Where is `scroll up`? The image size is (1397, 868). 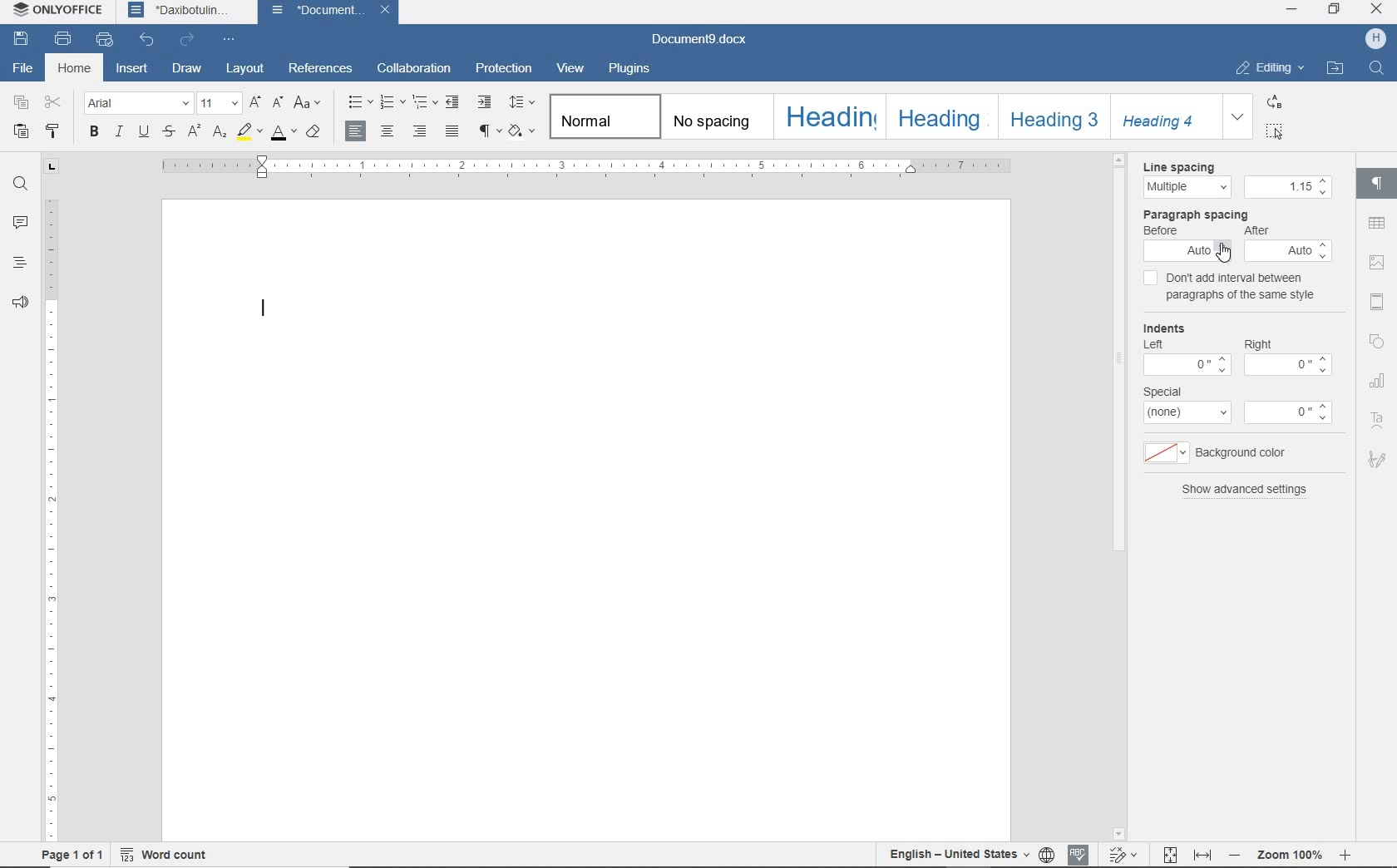 scroll up is located at coordinates (1121, 160).